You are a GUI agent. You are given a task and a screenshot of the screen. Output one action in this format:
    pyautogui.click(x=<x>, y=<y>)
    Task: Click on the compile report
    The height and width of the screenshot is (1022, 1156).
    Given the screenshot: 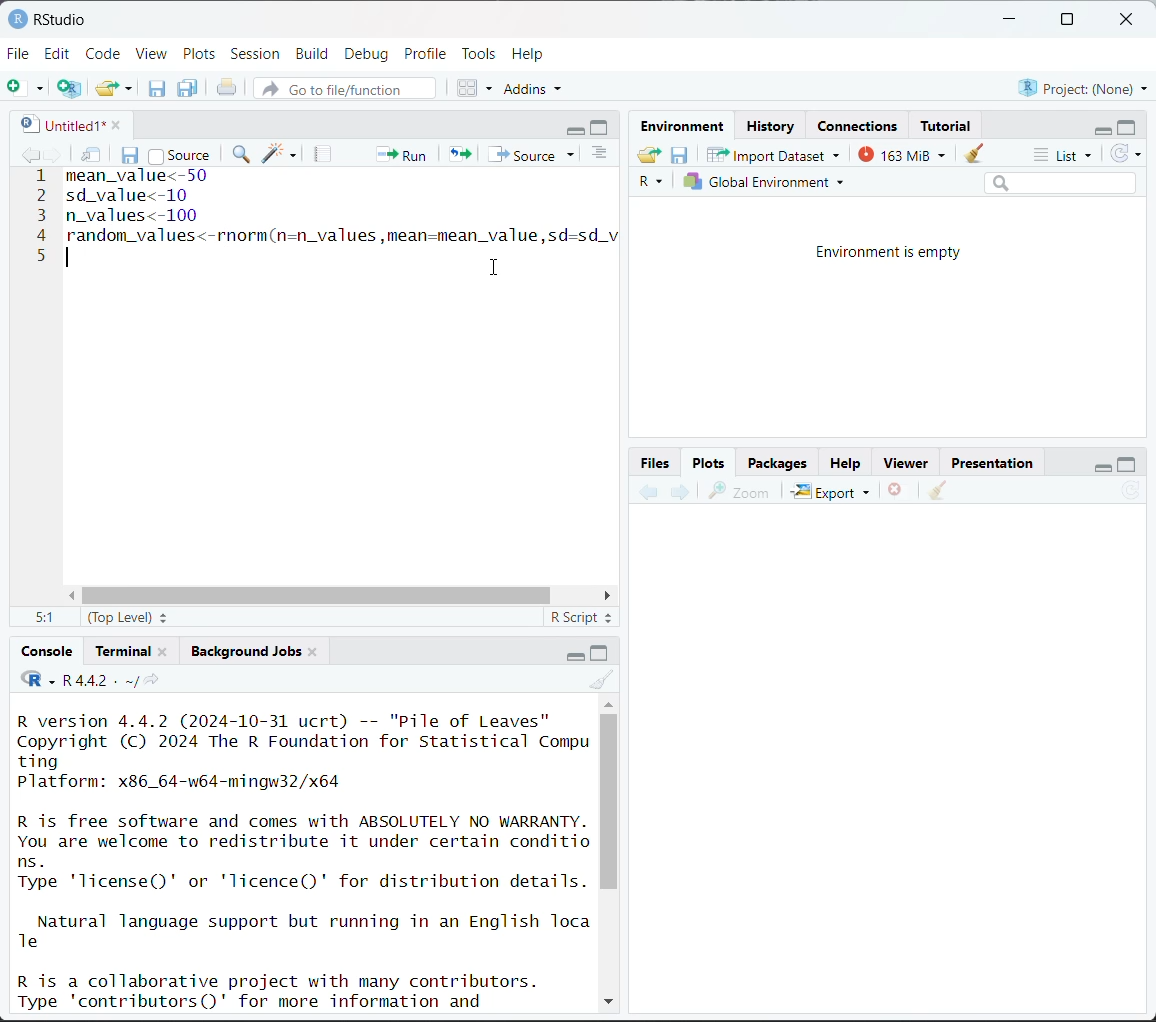 What is the action you would take?
    pyautogui.click(x=325, y=154)
    